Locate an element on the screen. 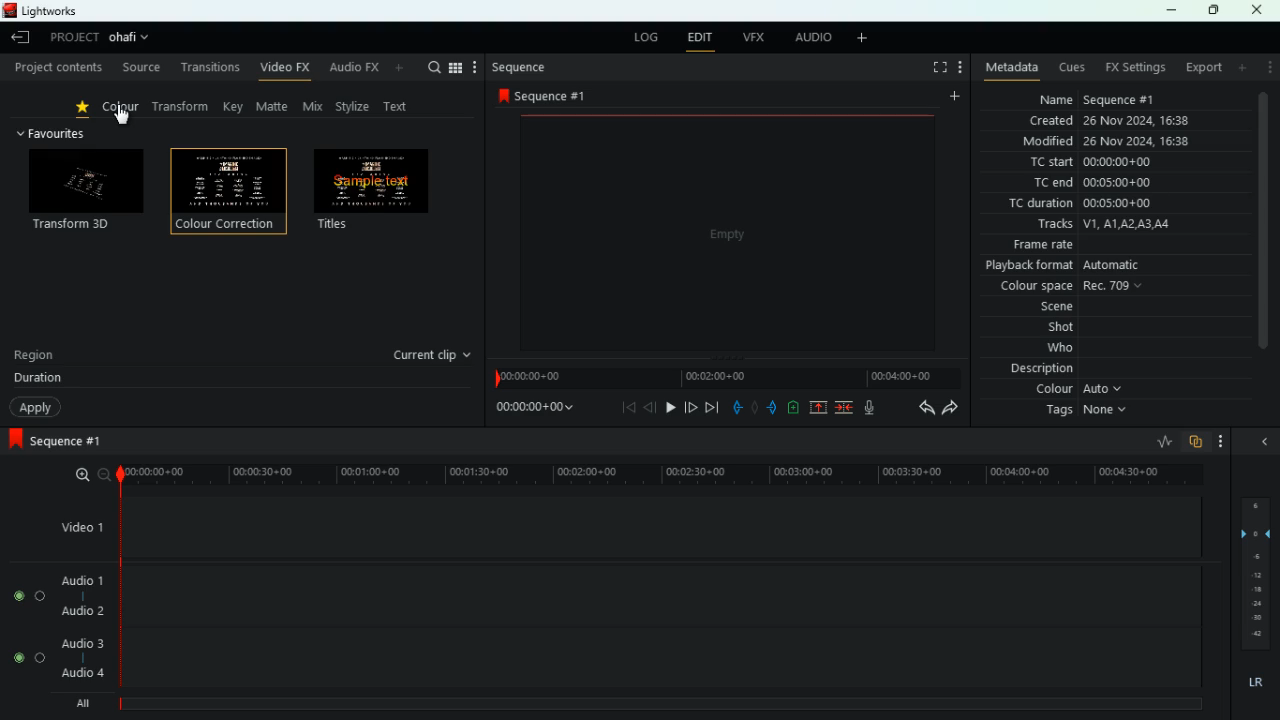 The width and height of the screenshot is (1280, 720). titles is located at coordinates (378, 193).